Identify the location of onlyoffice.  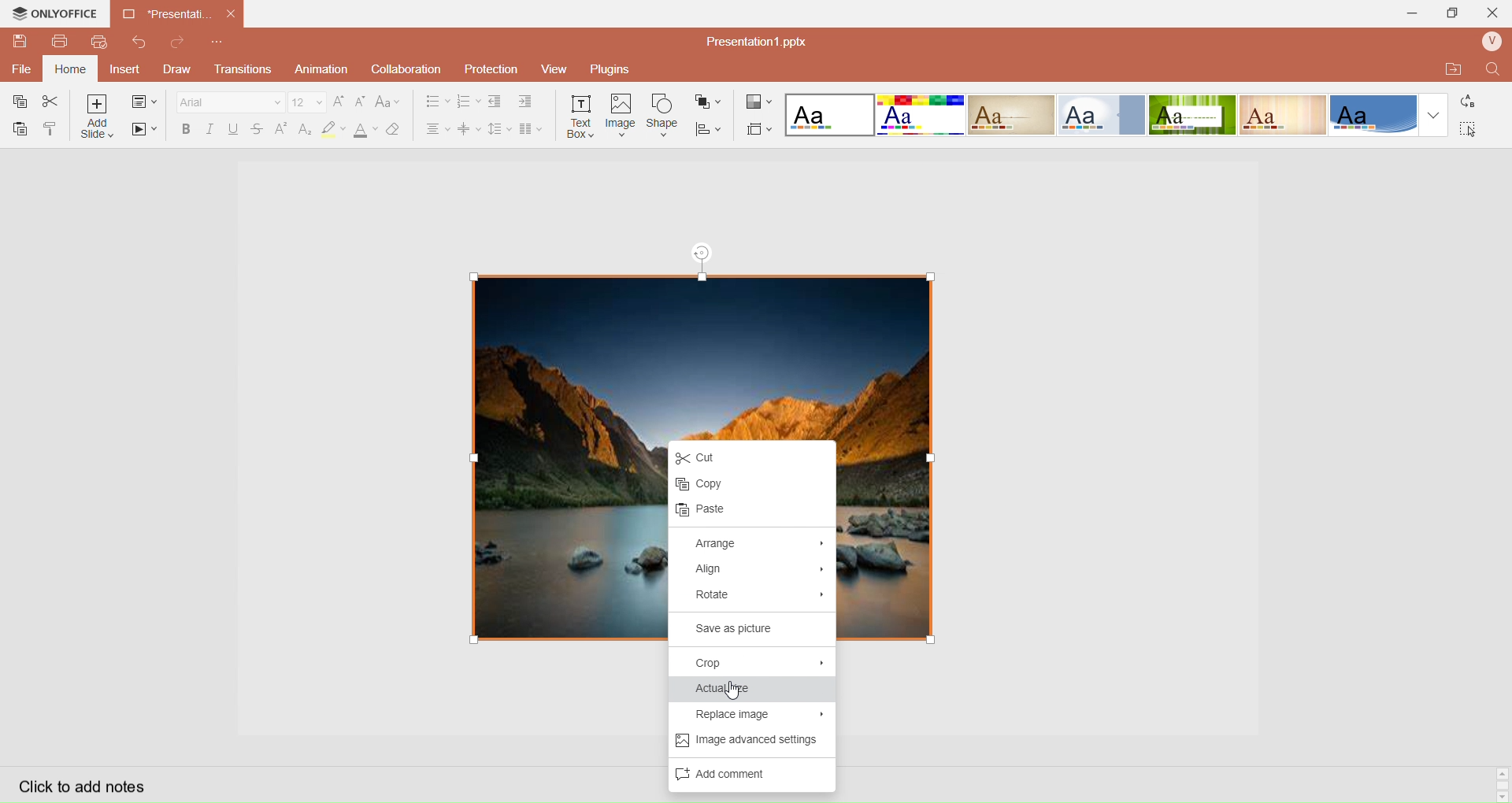
(65, 13).